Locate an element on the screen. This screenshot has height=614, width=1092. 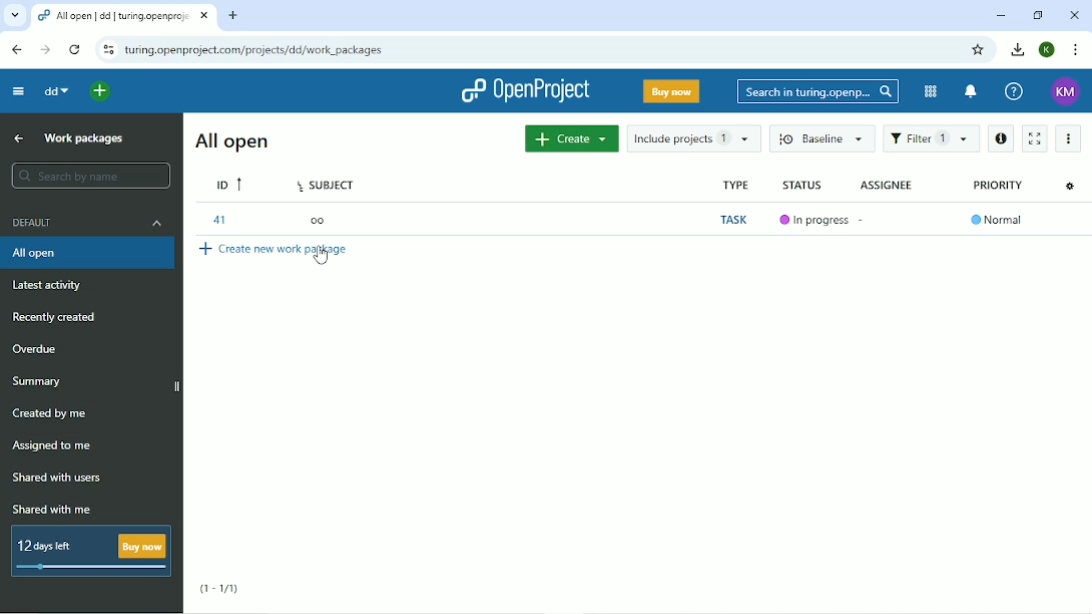
Status is located at coordinates (801, 186).